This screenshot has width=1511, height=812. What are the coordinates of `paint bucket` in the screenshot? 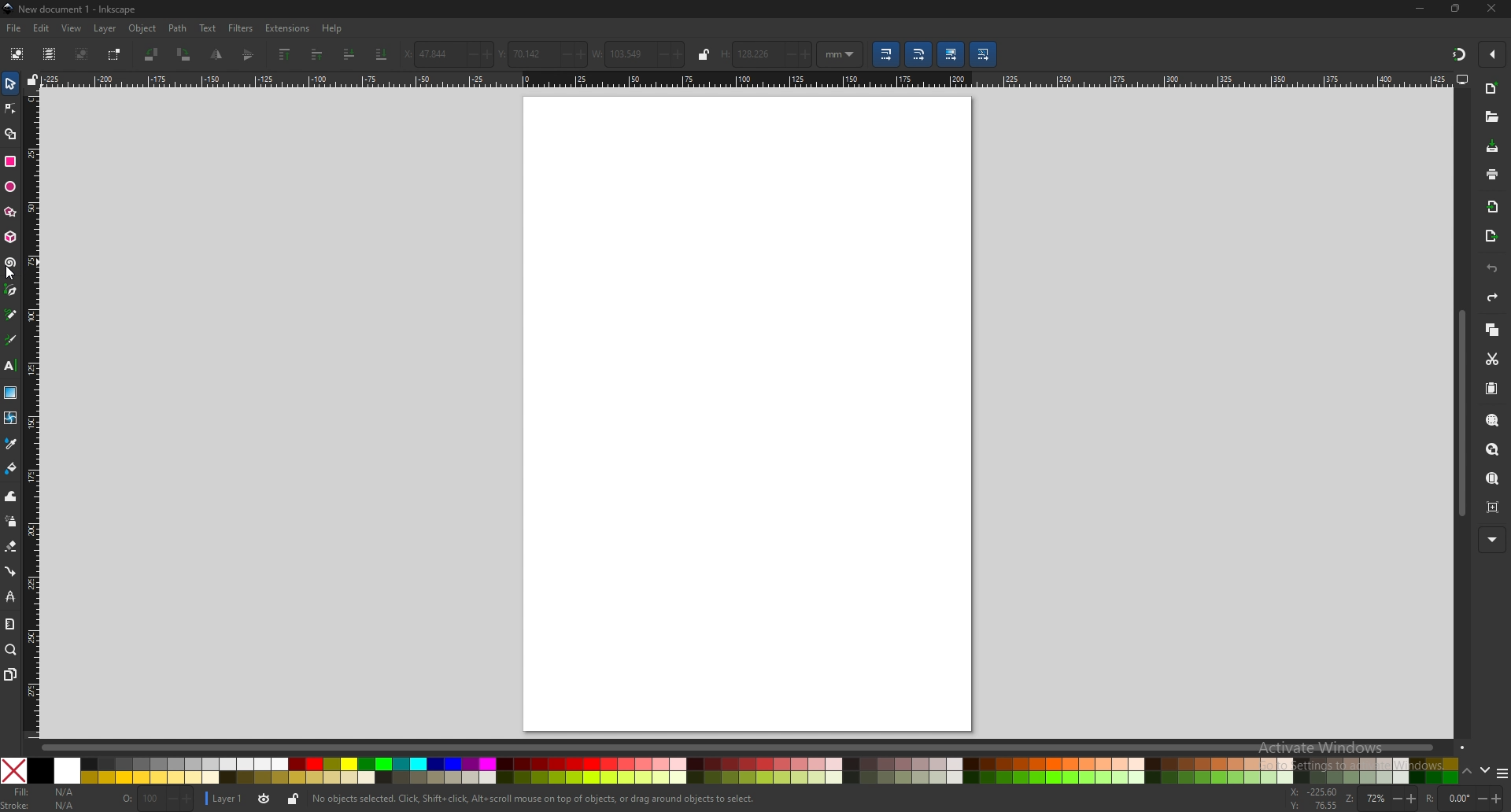 It's located at (10, 468).